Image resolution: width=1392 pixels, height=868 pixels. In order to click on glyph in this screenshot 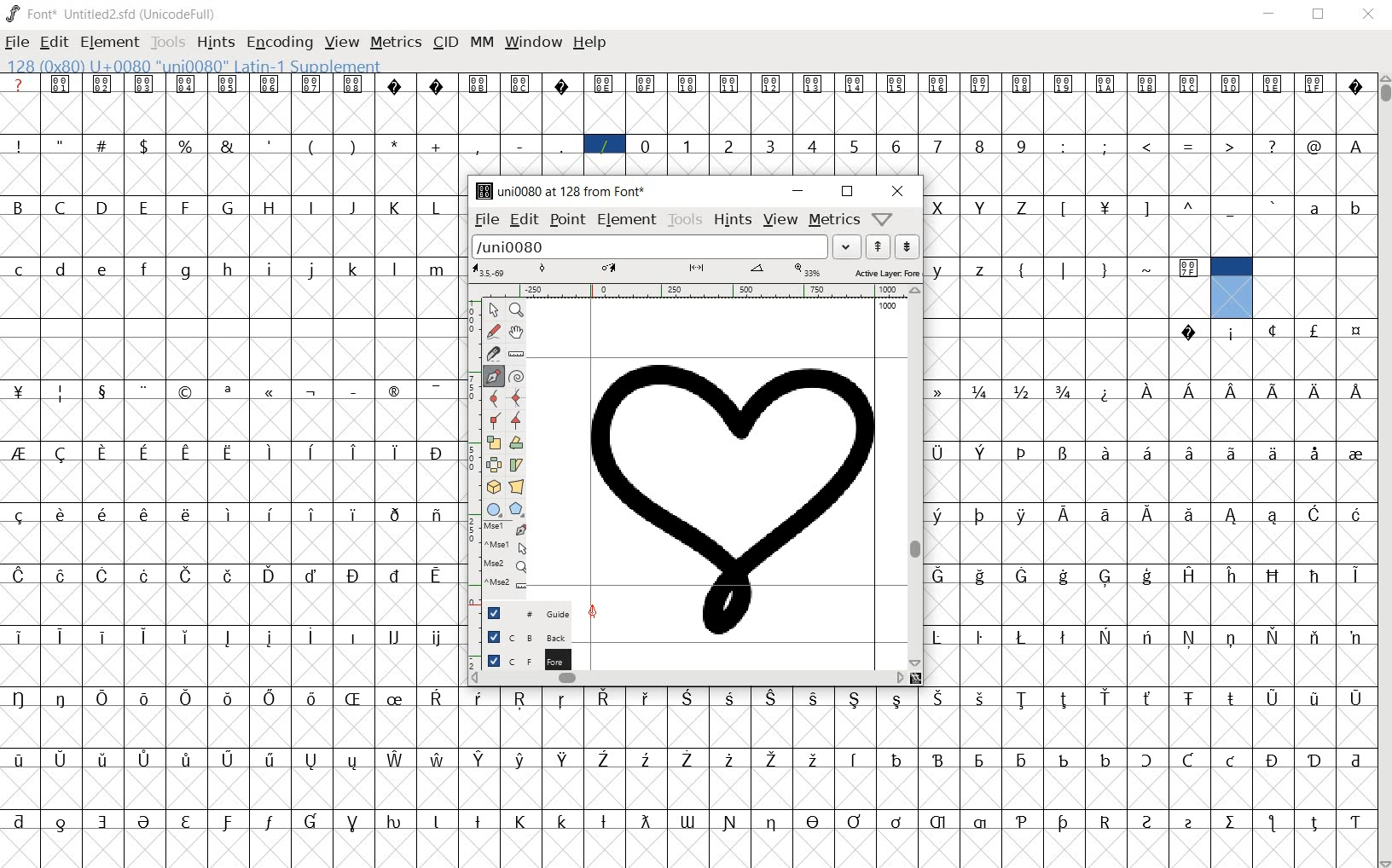, I will do `click(1106, 578)`.